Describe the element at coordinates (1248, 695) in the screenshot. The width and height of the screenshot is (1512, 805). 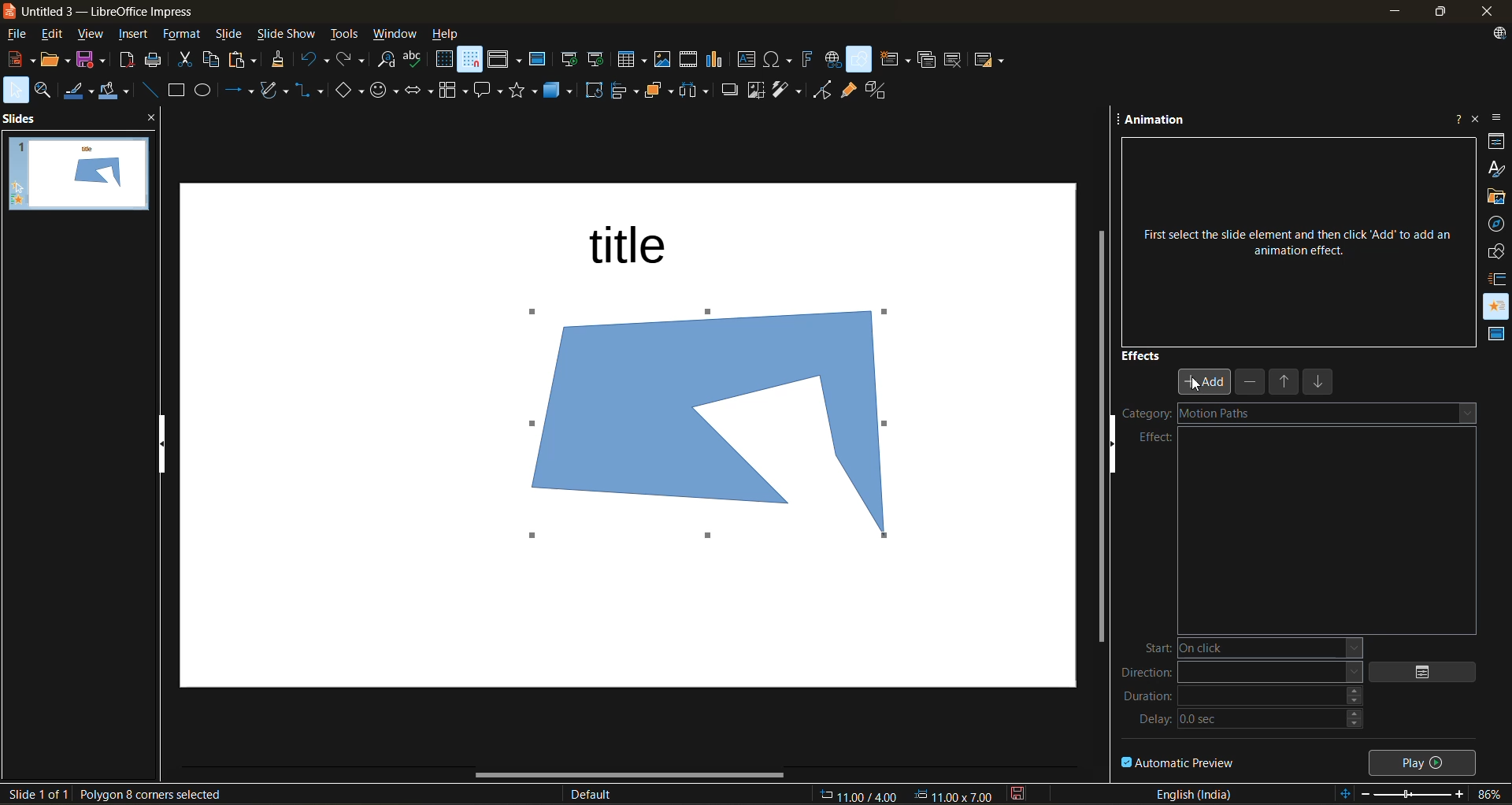
I see `duration` at that location.